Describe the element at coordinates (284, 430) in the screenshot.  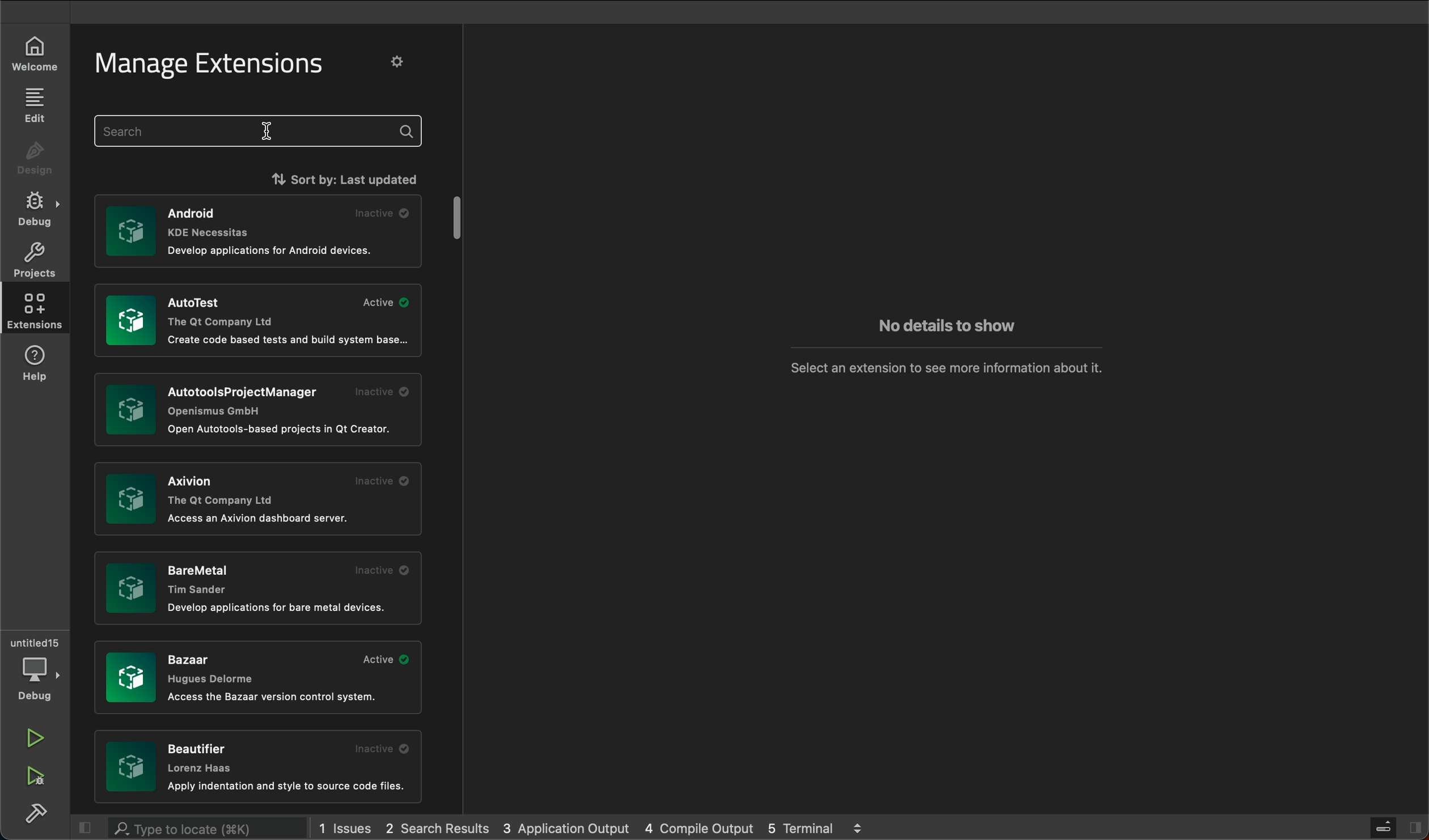
I see `extension text` at that location.